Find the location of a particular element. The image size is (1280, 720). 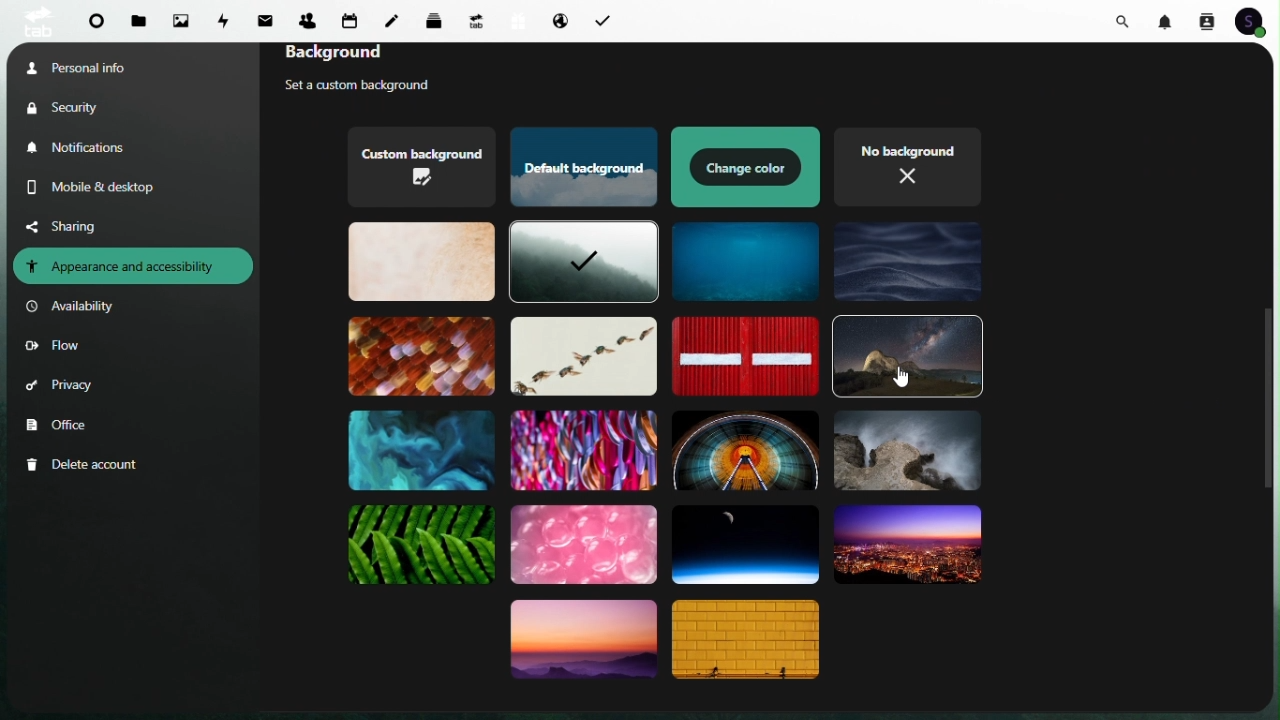

files is located at coordinates (140, 22).